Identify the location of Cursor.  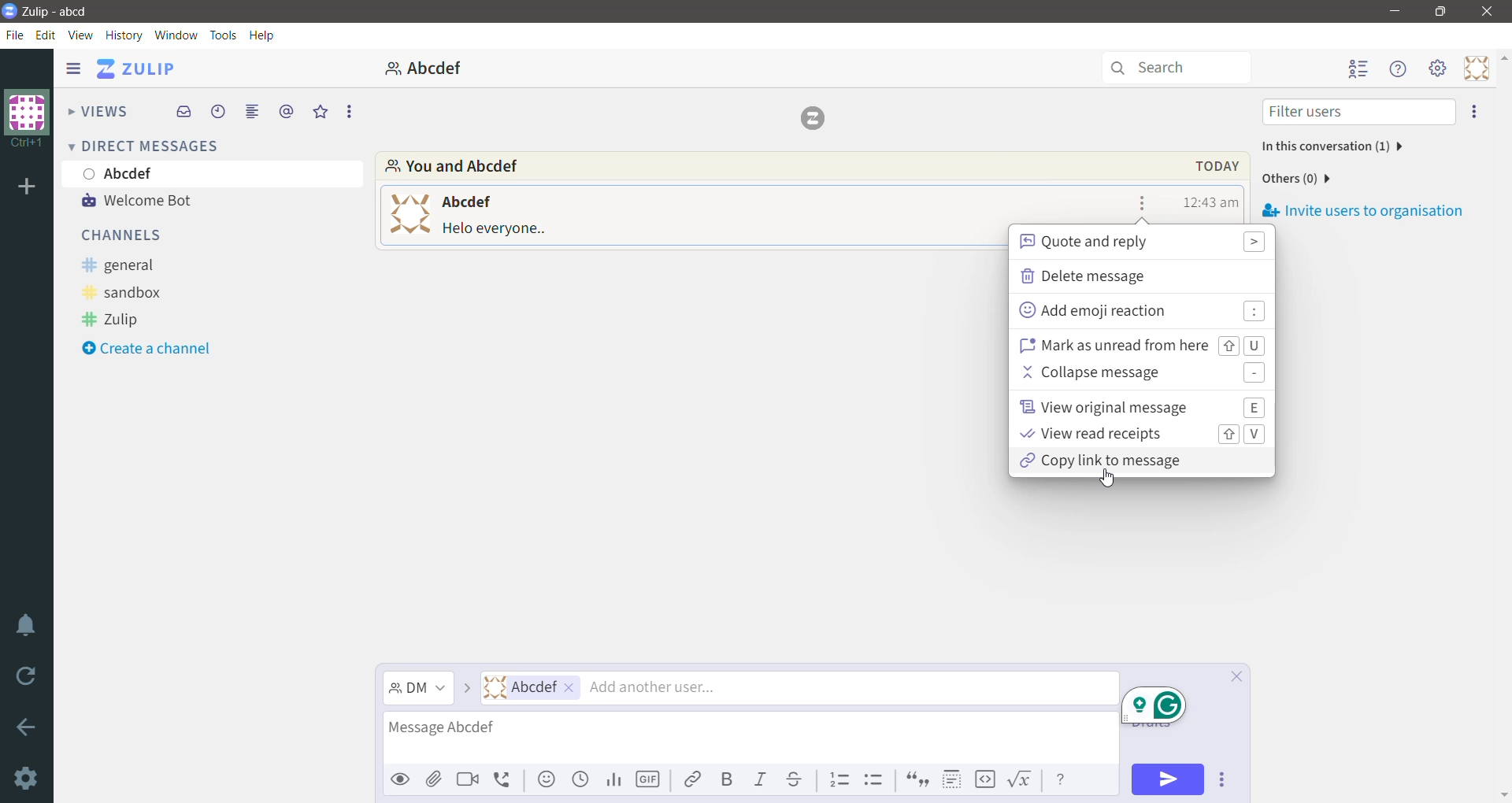
(1104, 483).